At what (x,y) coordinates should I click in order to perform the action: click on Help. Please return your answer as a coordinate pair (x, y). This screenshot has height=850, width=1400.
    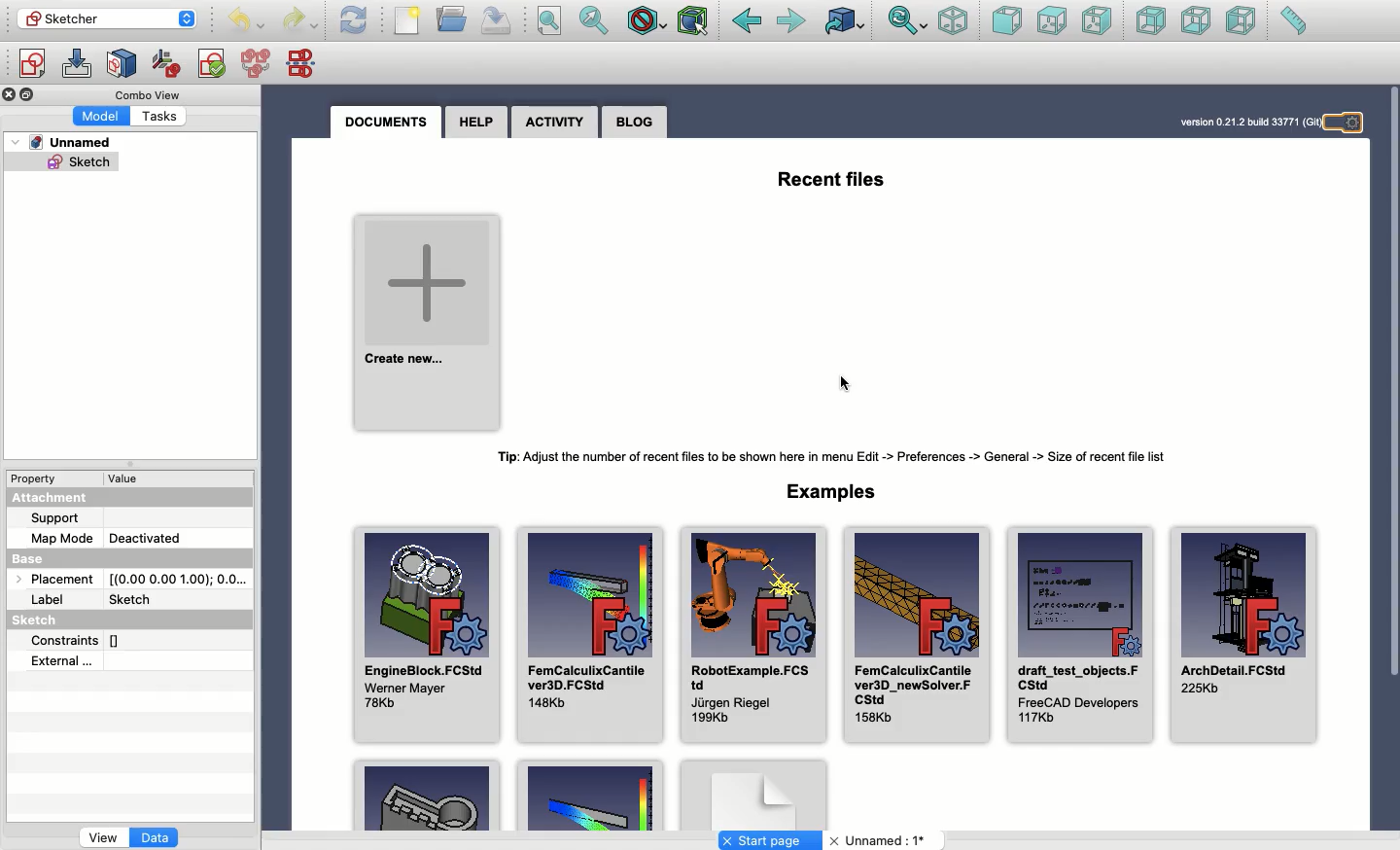
    Looking at the image, I should click on (477, 121).